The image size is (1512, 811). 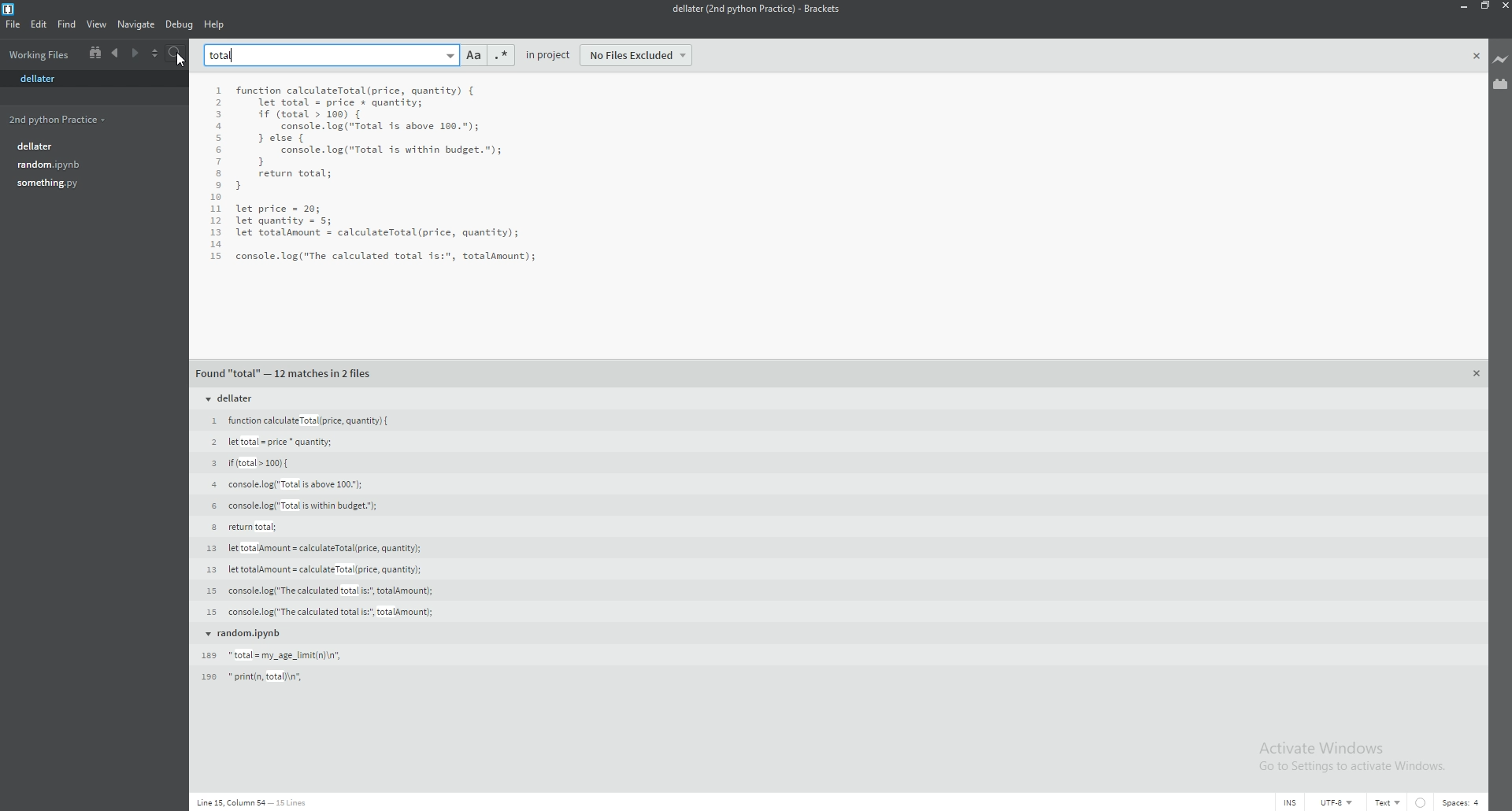 What do you see at coordinates (216, 244) in the screenshot?
I see `14` at bounding box center [216, 244].